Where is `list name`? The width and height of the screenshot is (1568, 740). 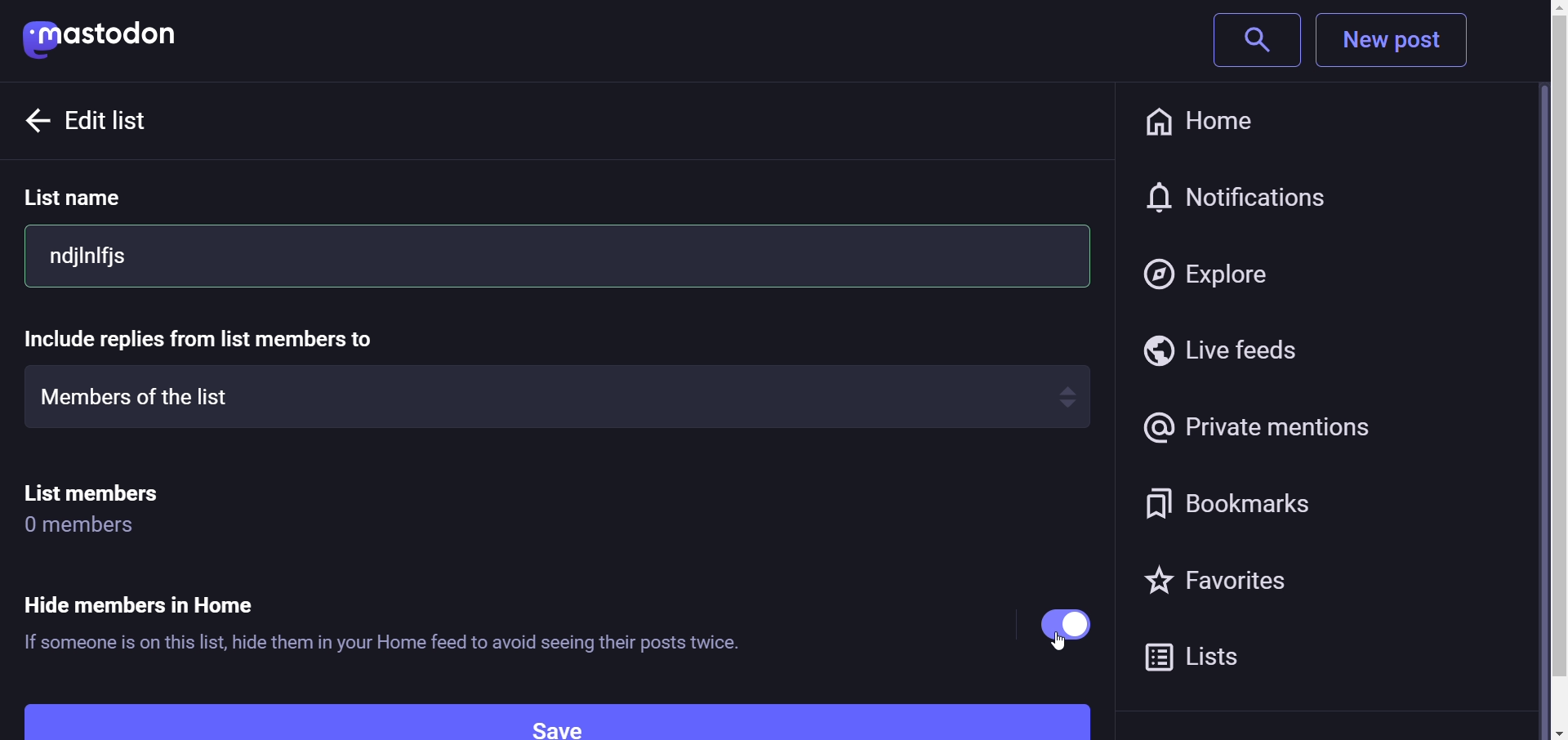
list name is located at coordinates (100, 200).